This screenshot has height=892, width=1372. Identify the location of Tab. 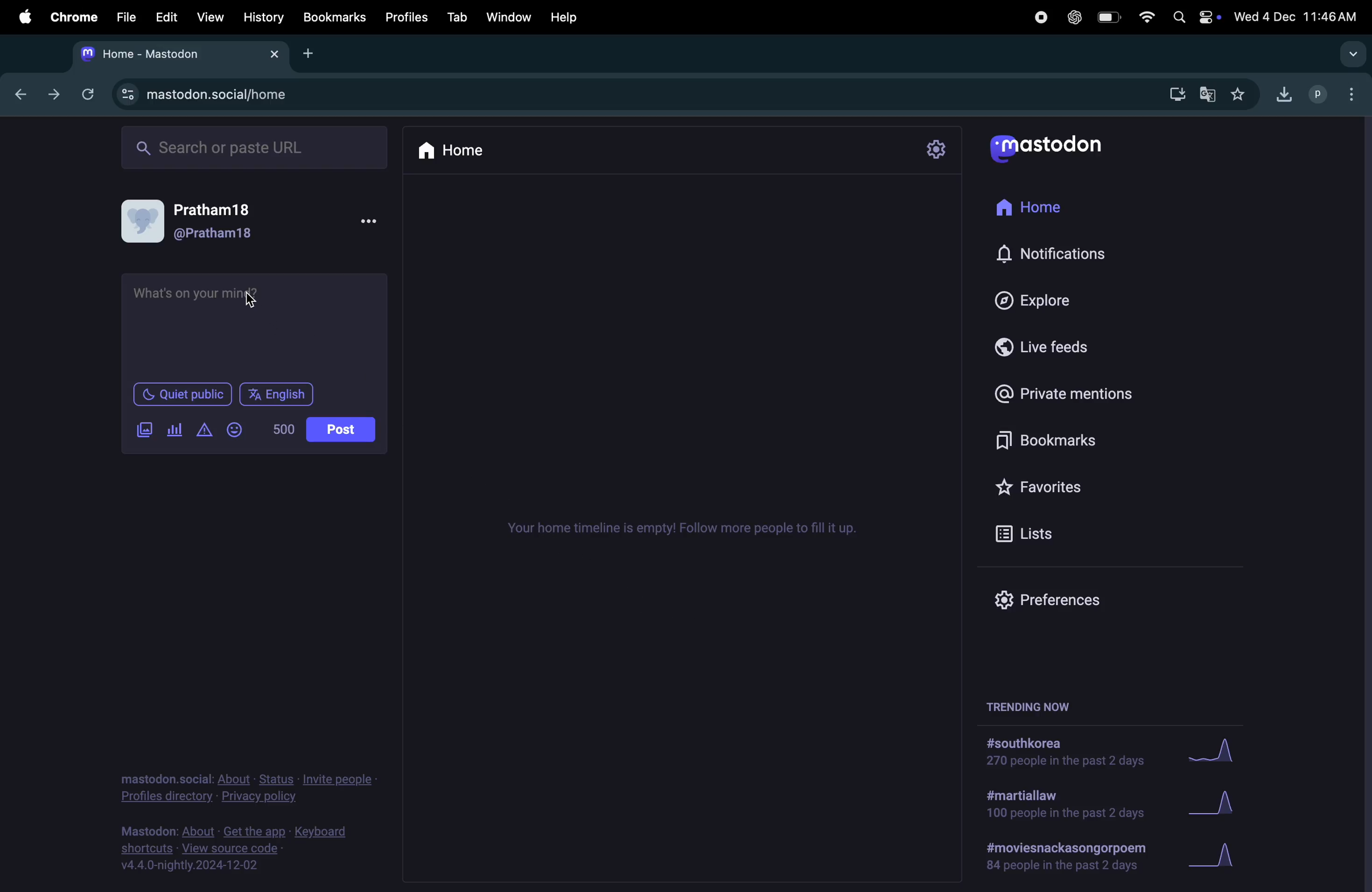
(454, 18).